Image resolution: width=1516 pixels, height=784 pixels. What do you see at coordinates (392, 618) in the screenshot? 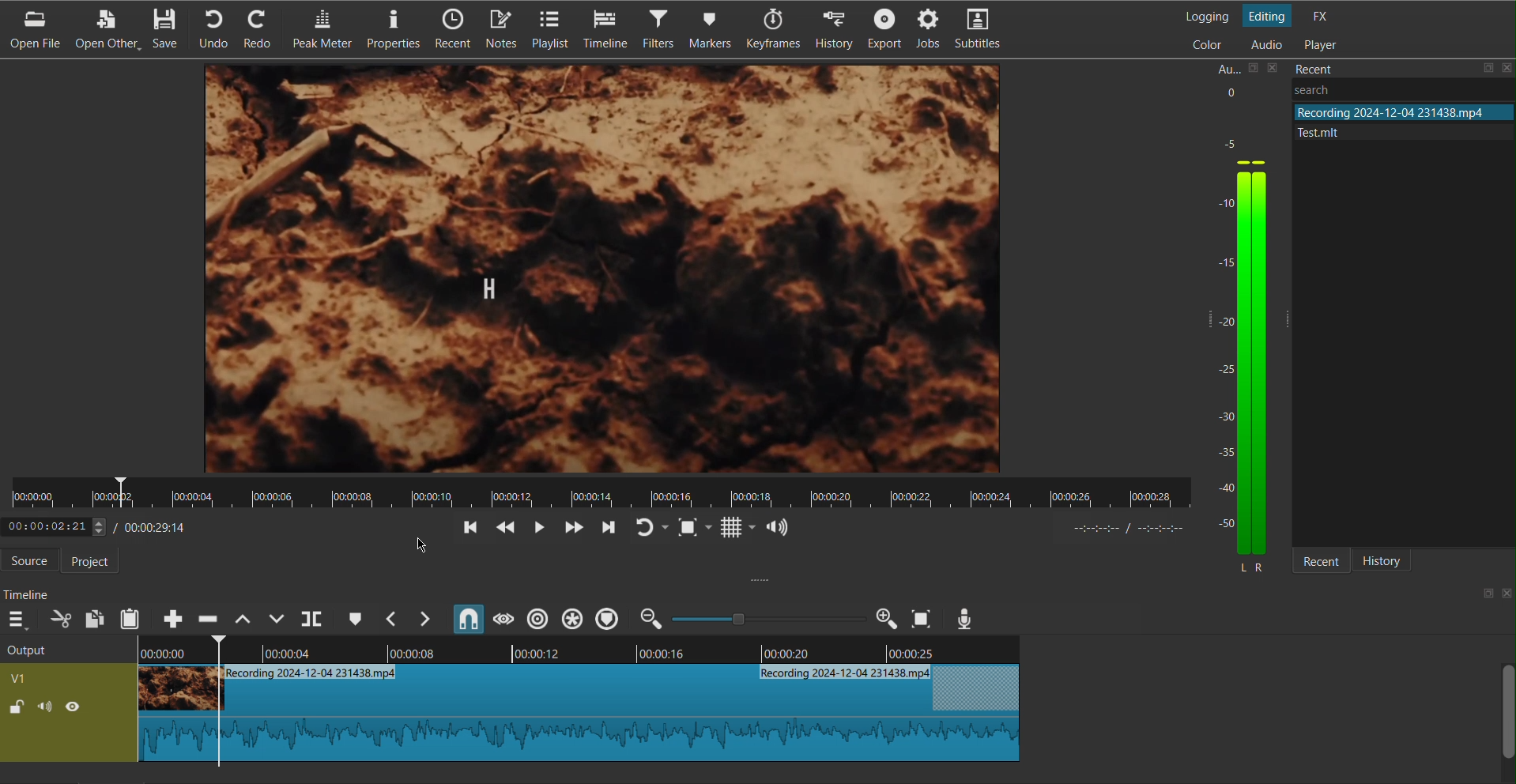
I see `Previous Marker` at bounding box center [392, 618].